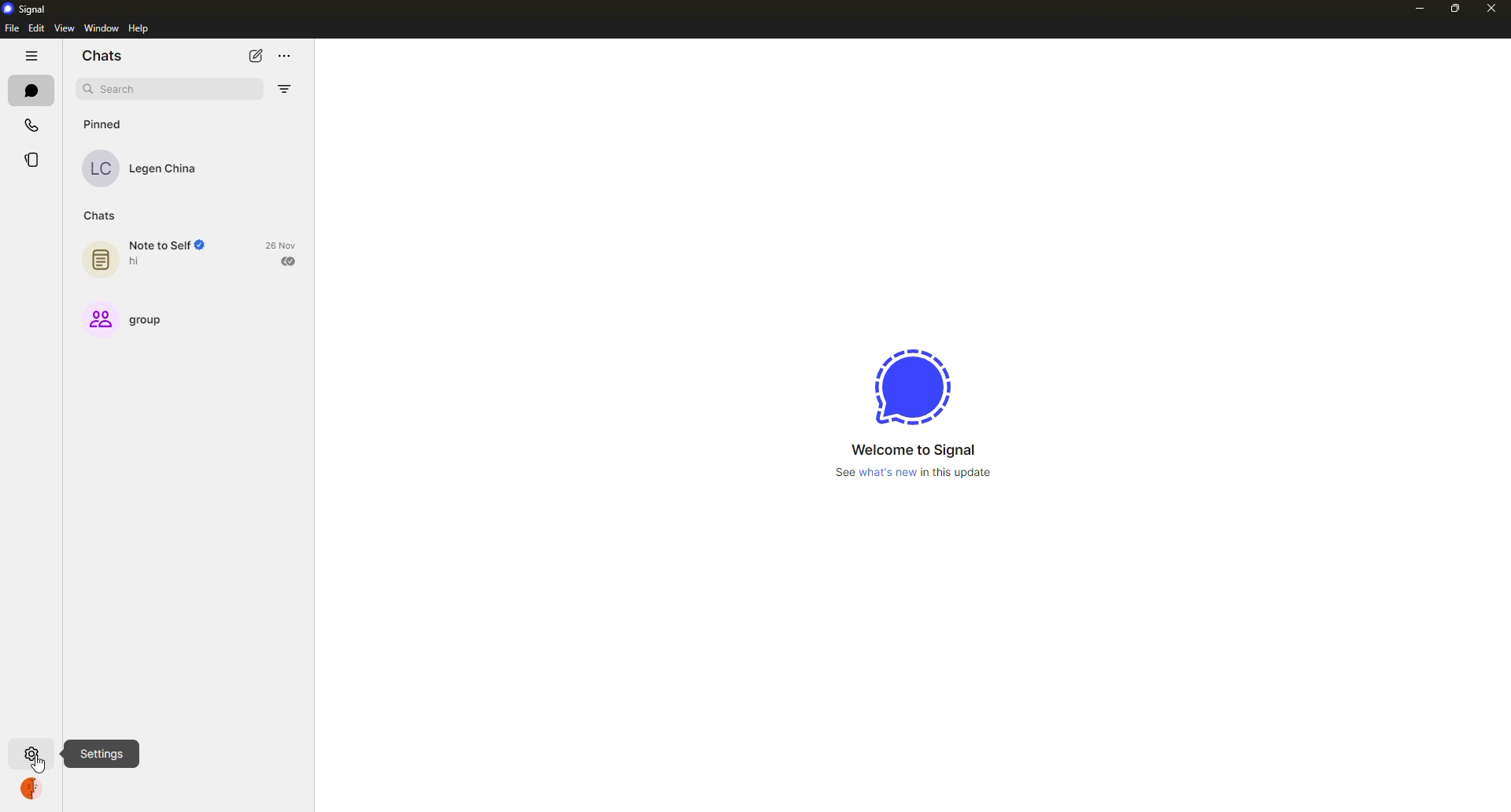 This screenshot has height=812, width=1511. Describe the element at coordinates (12, 28) in the screenshot. I see `file` at that location.